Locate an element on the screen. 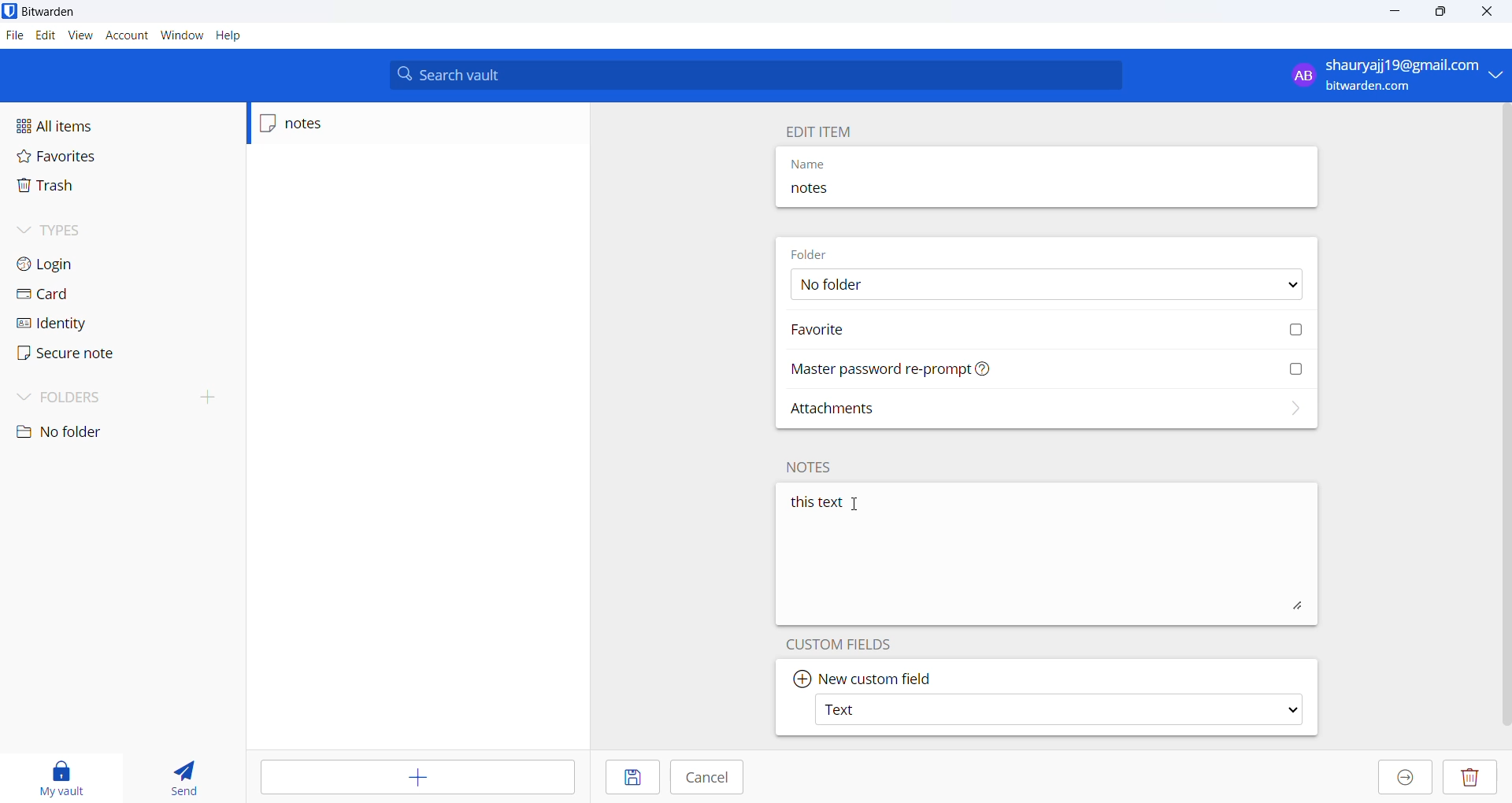  edit item is located at coordinates (829, 131).